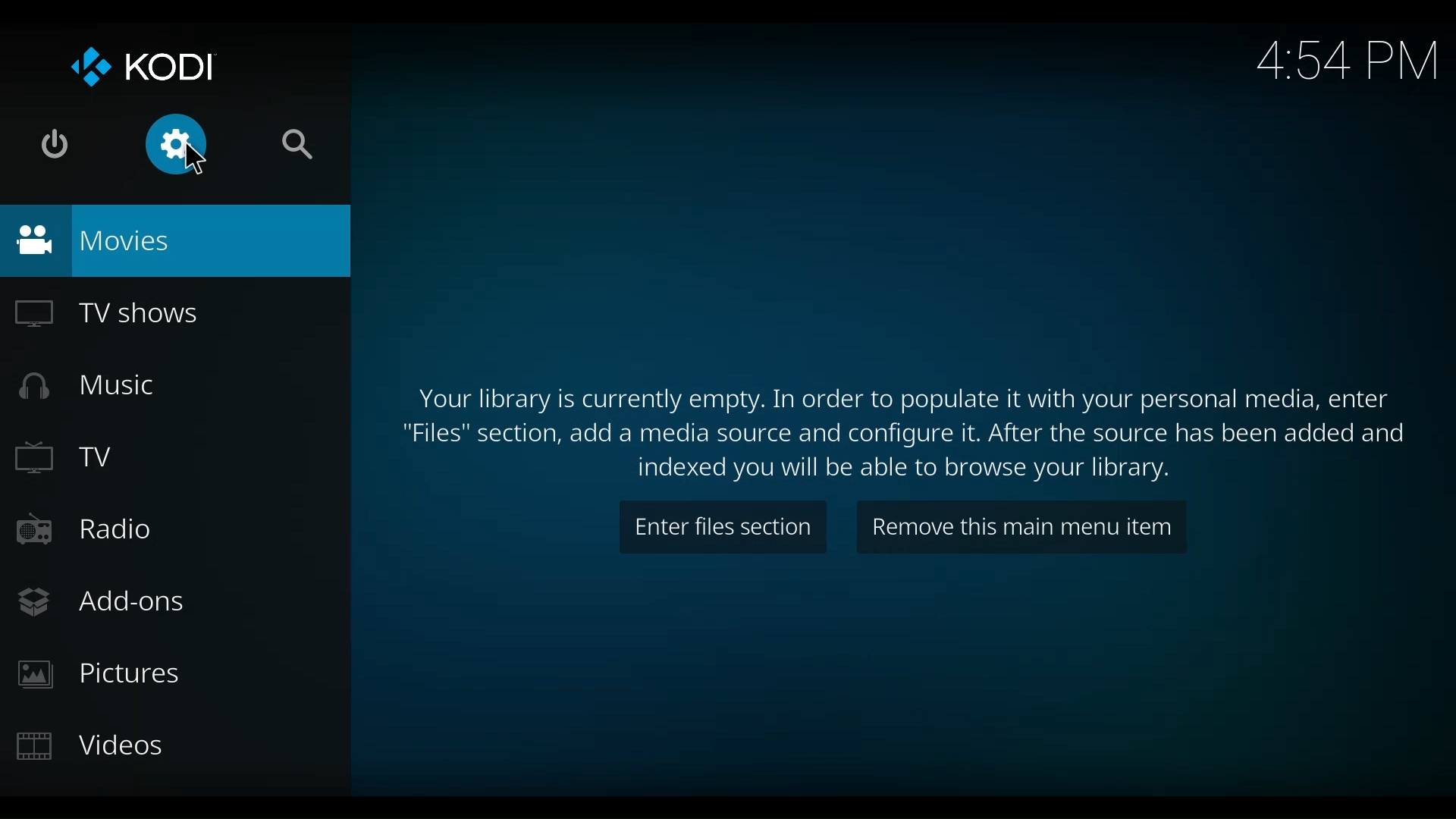 The height and width of the screenshot is (819, 1456). I want to click on TV Shows, so click(110, 316).